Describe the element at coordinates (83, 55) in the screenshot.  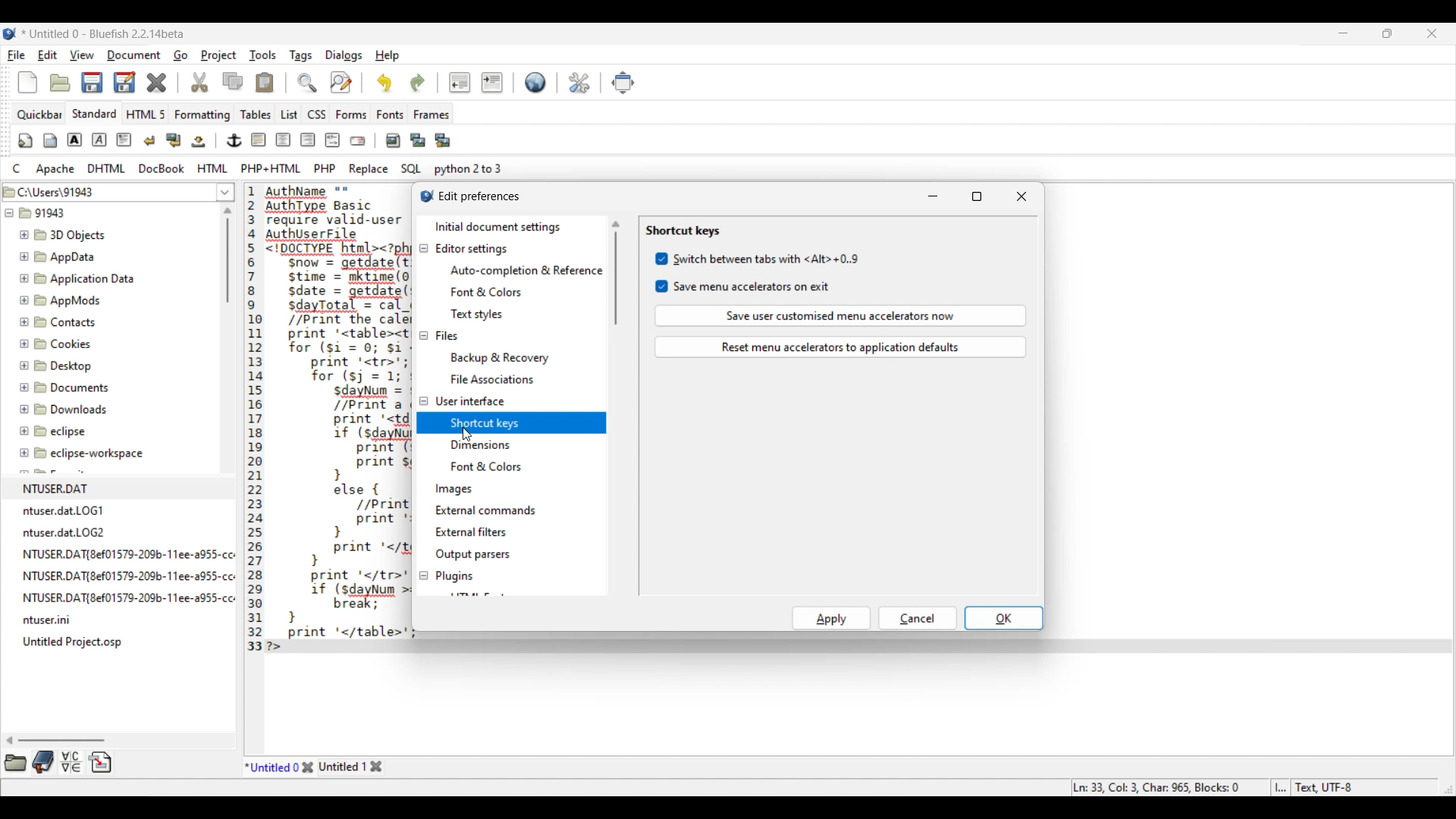
I see `View menu` at that location.